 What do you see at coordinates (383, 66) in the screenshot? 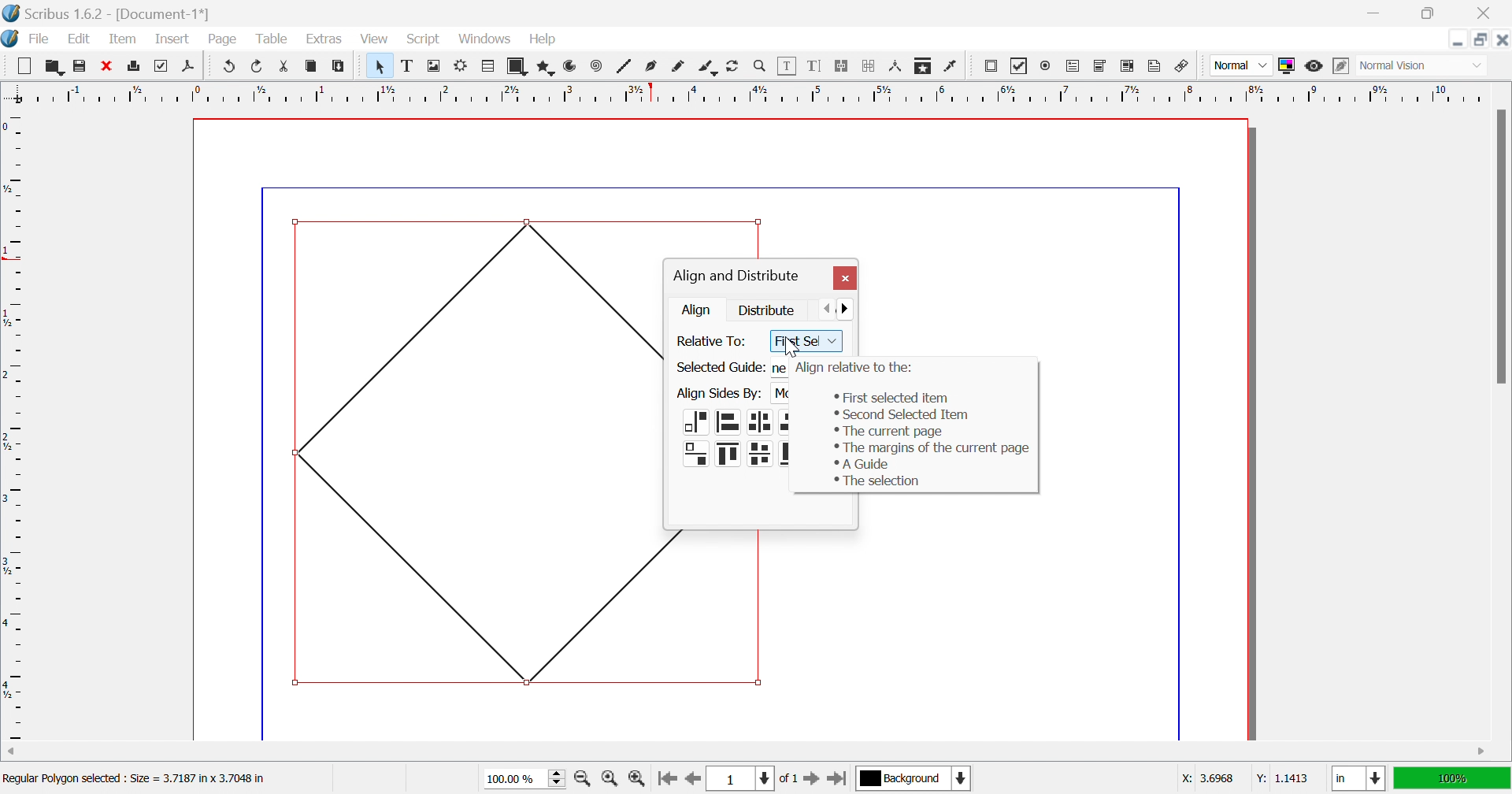
I see `Select item` at bounding box center [383, 66].